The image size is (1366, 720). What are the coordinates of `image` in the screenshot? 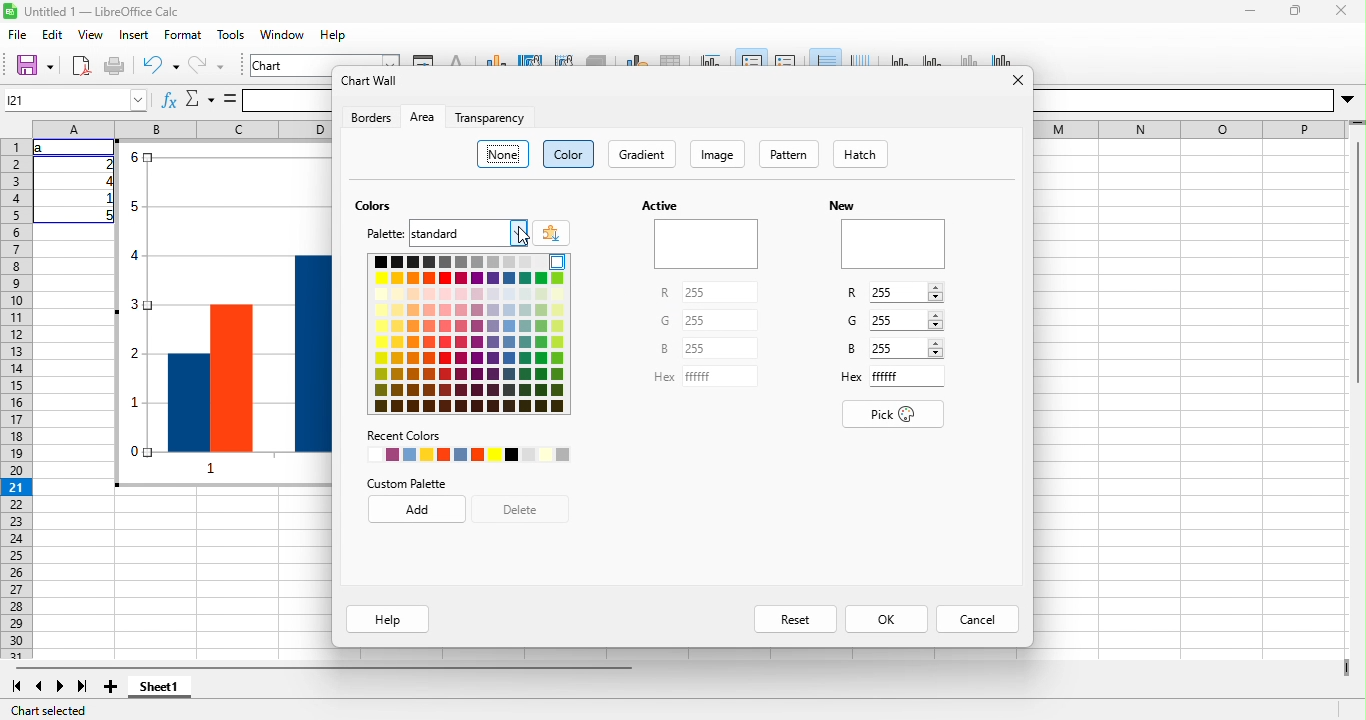 It's located at (717, 154).